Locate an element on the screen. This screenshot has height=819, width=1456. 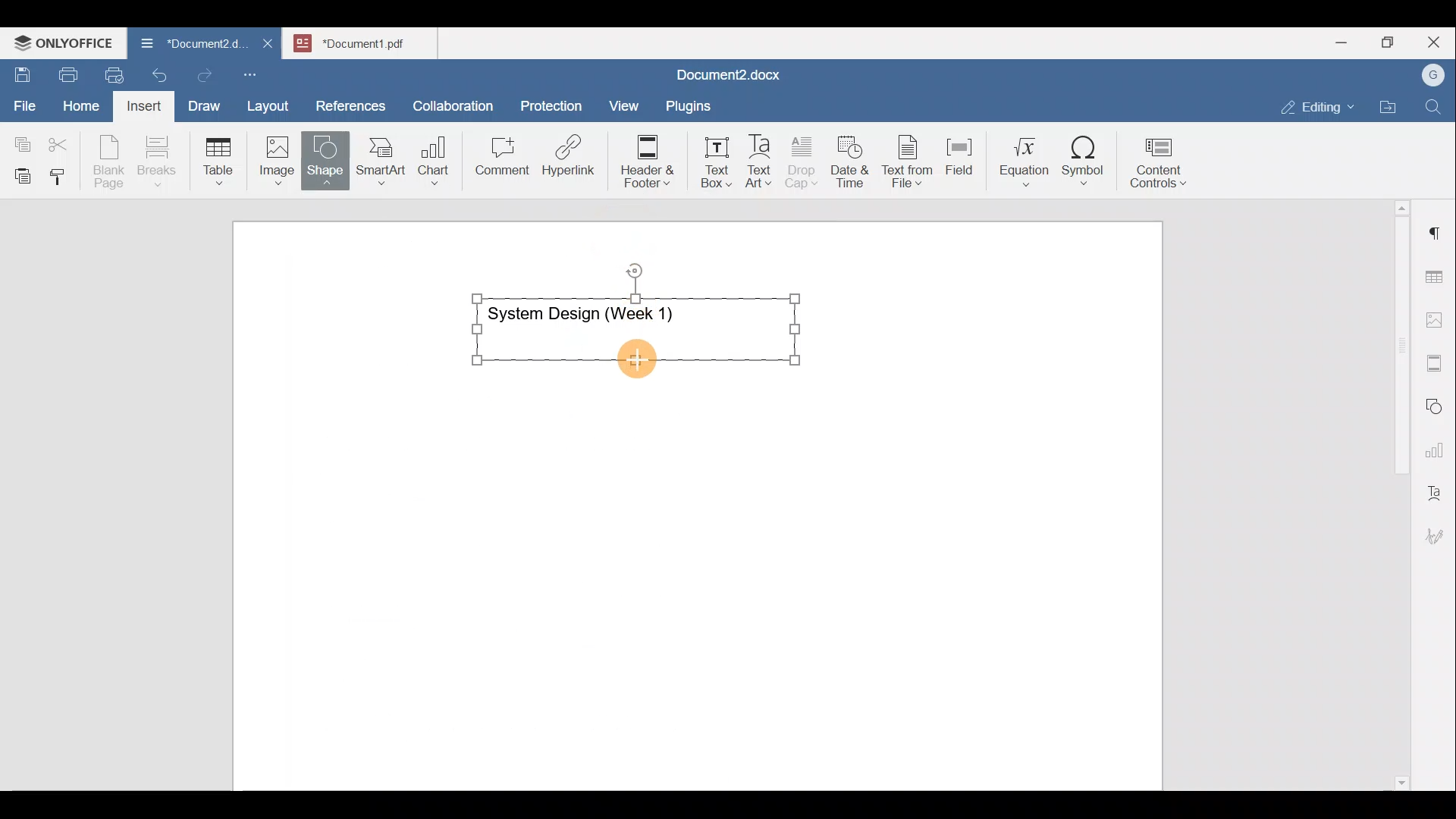
Scroll bar is located at coordinates (1396, 492).